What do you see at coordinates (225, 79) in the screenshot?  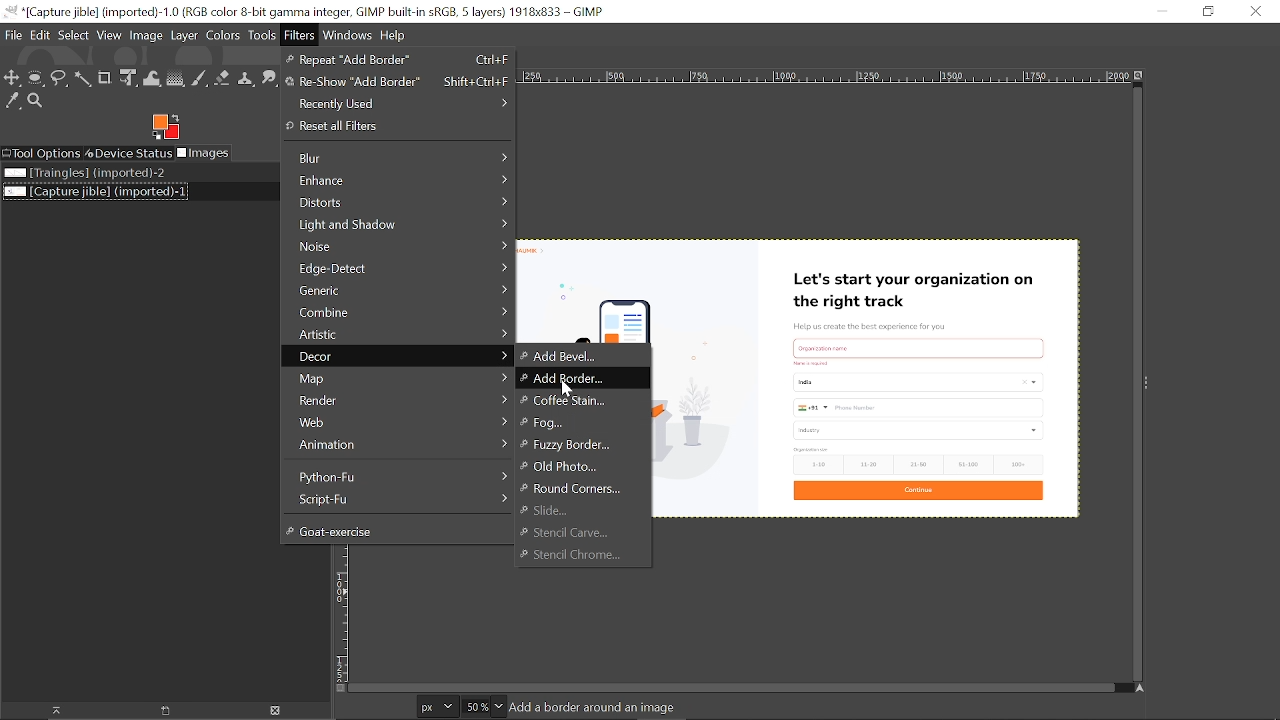 I see `Eraser tool` at bounding box center [225, 79].